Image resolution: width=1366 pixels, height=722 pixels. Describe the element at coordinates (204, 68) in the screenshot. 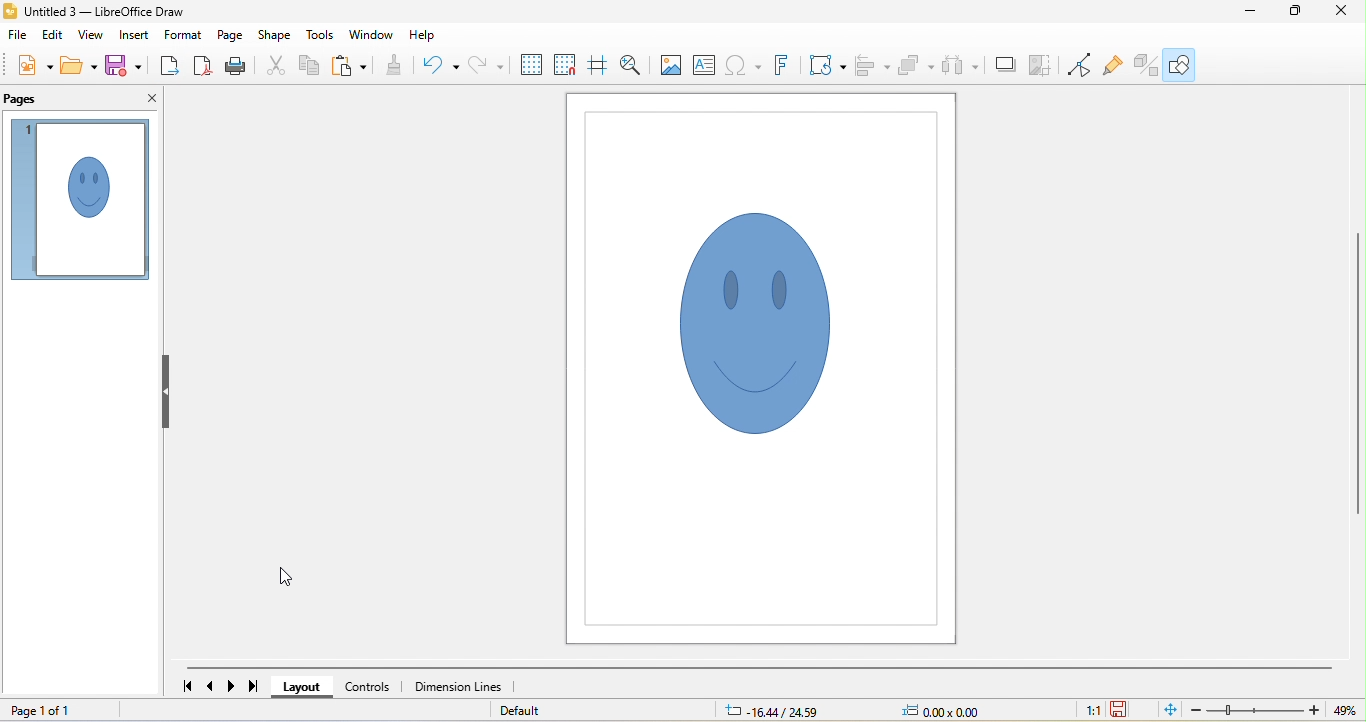

I see `export as pdf` at that location.